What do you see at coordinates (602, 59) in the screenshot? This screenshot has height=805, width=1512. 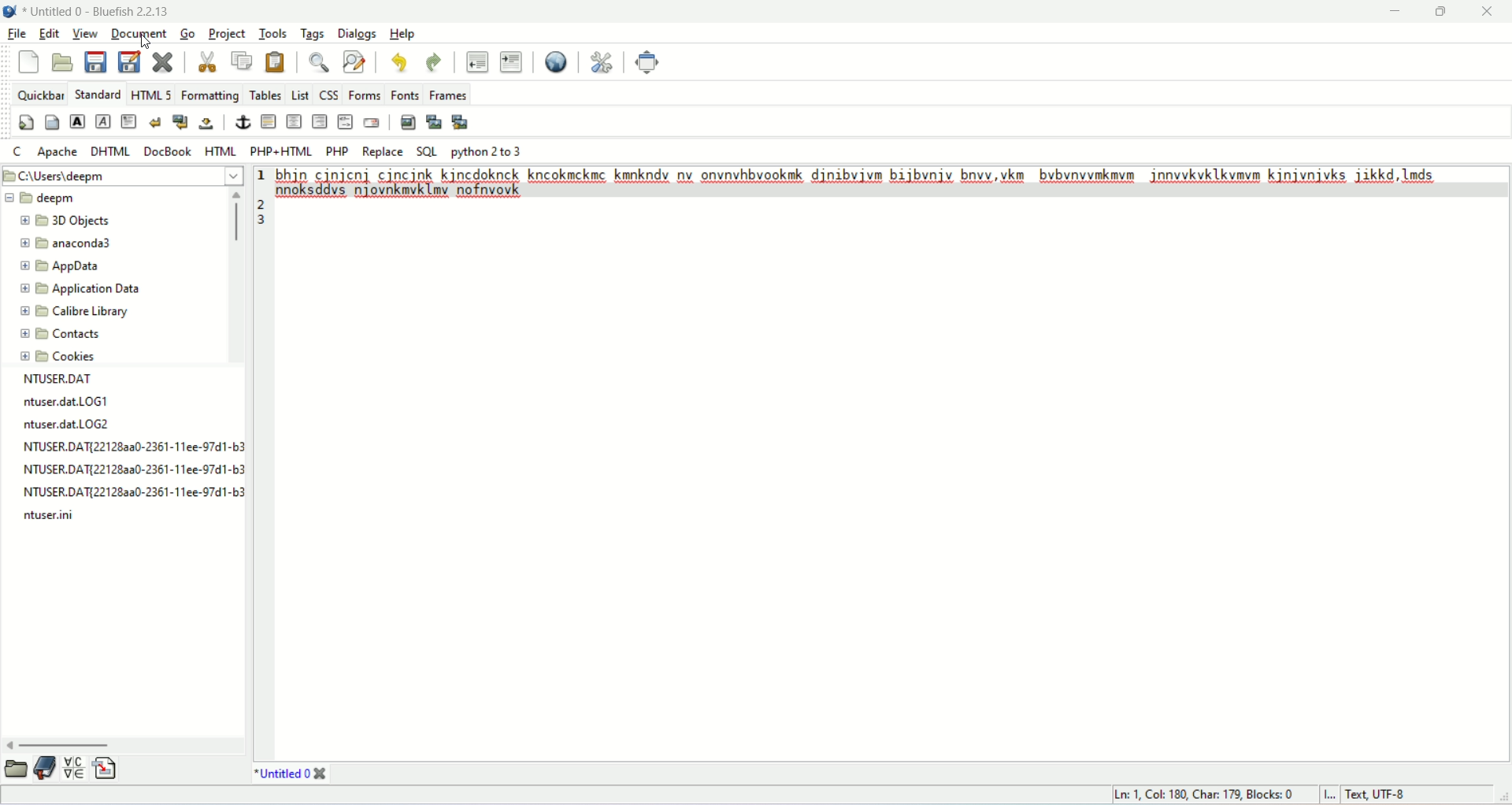 I see `edit preferences` at bounding box center [602, 59].